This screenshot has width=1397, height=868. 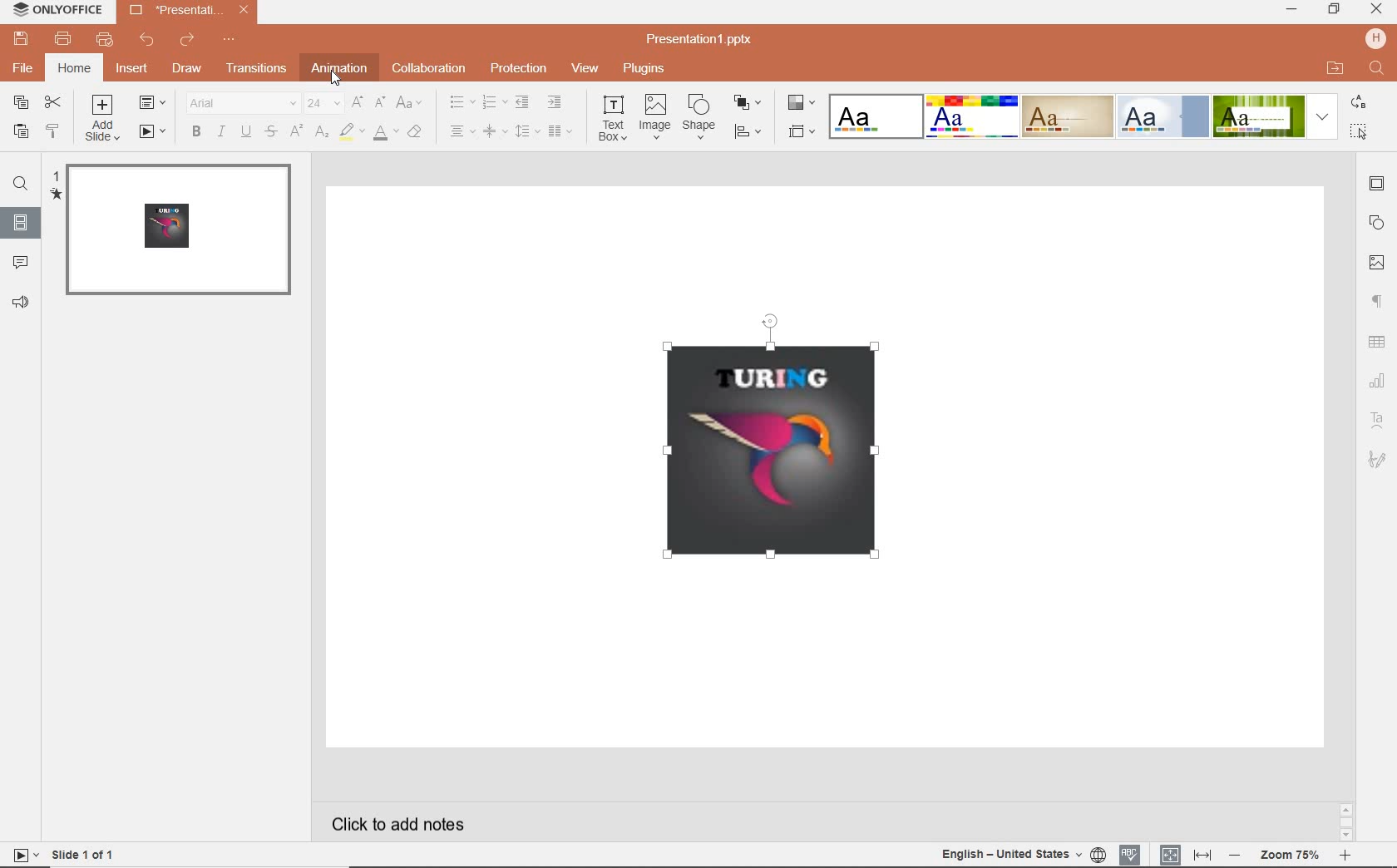 I want to click on draw, so click(x=190, y=70).